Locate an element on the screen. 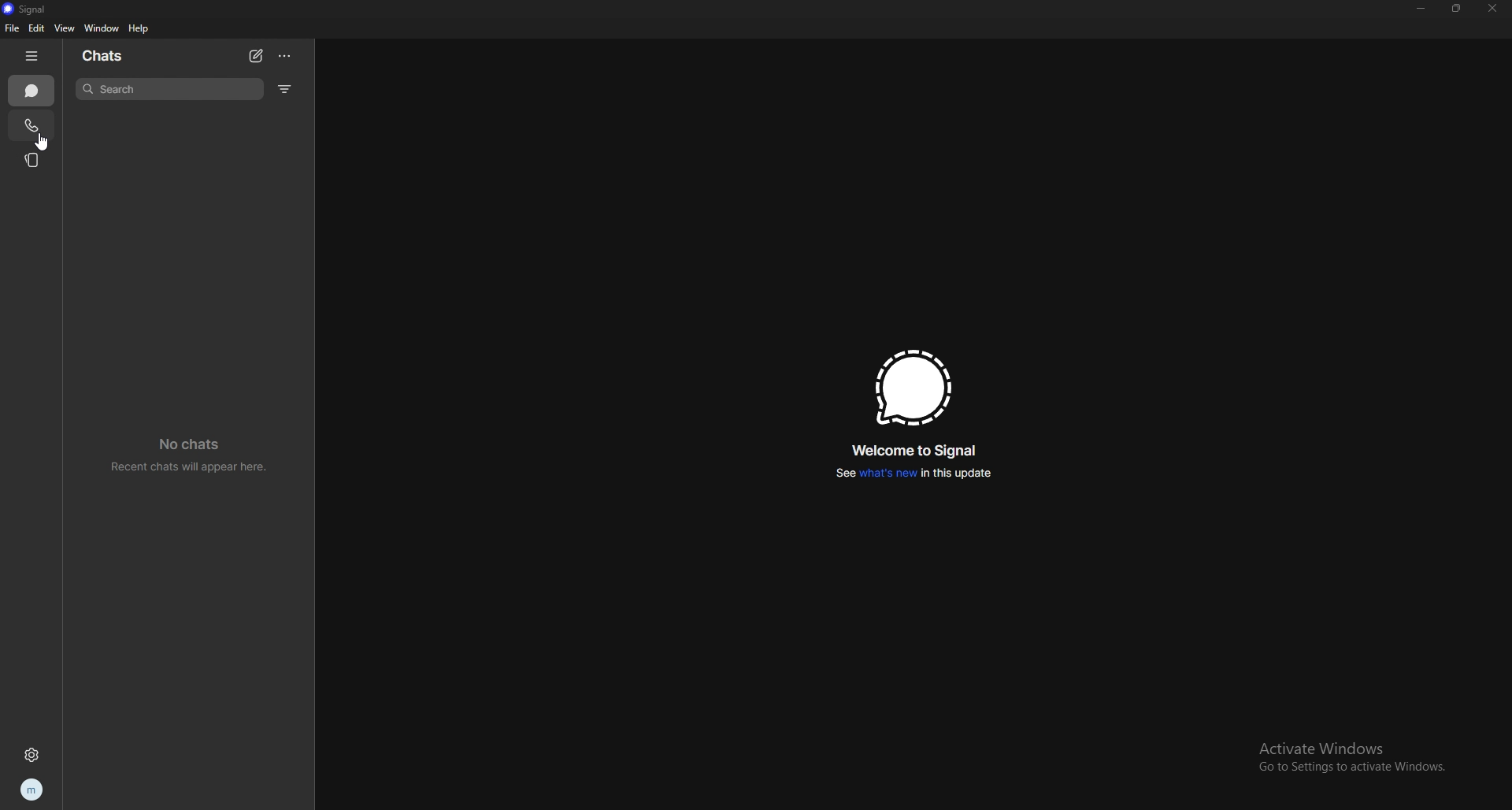 This screenshot has width=1512, height=810. see whats new in this update is located at coordinates (913, 473).